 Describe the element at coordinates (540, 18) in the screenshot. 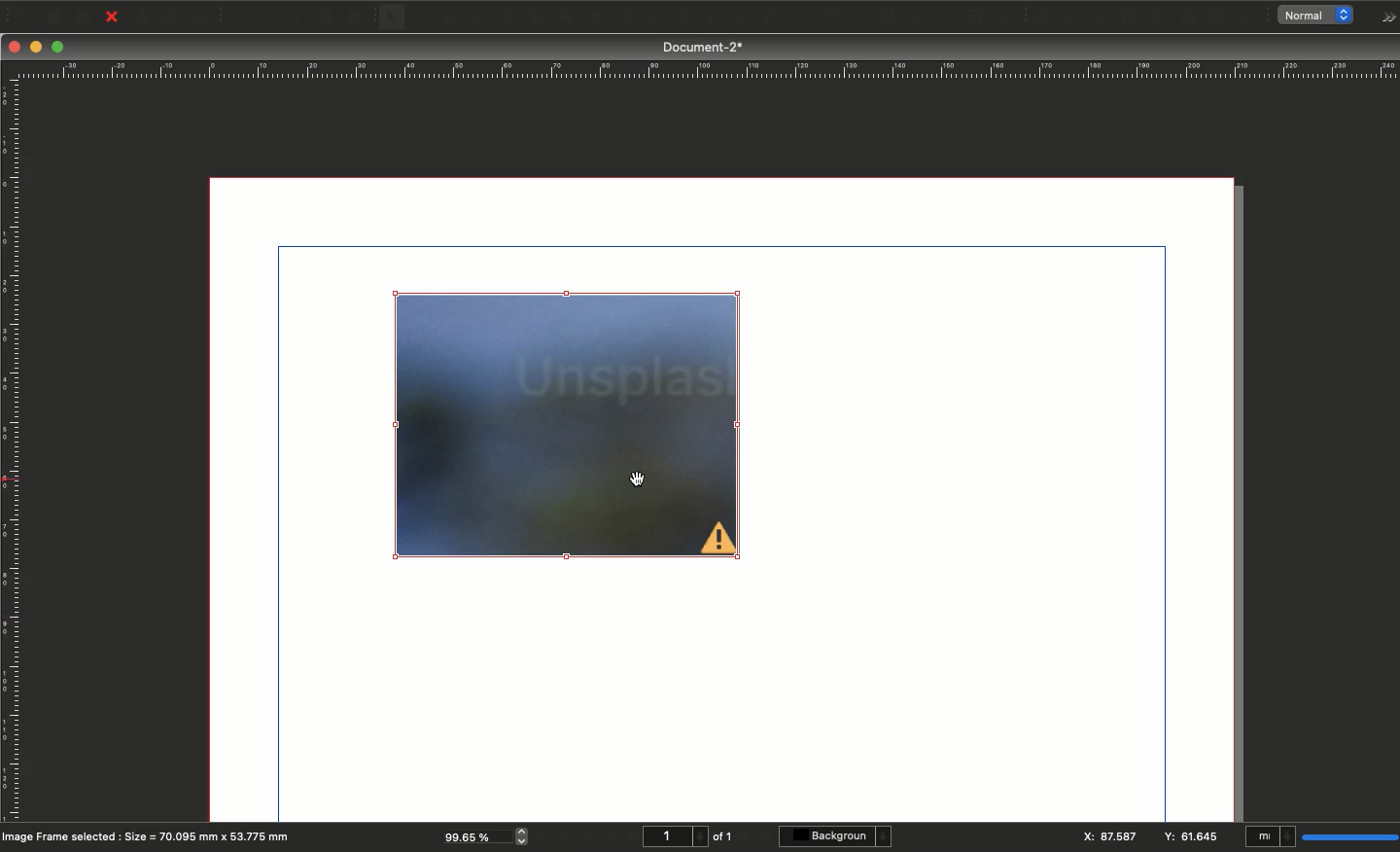

I see `Shape` at that location.